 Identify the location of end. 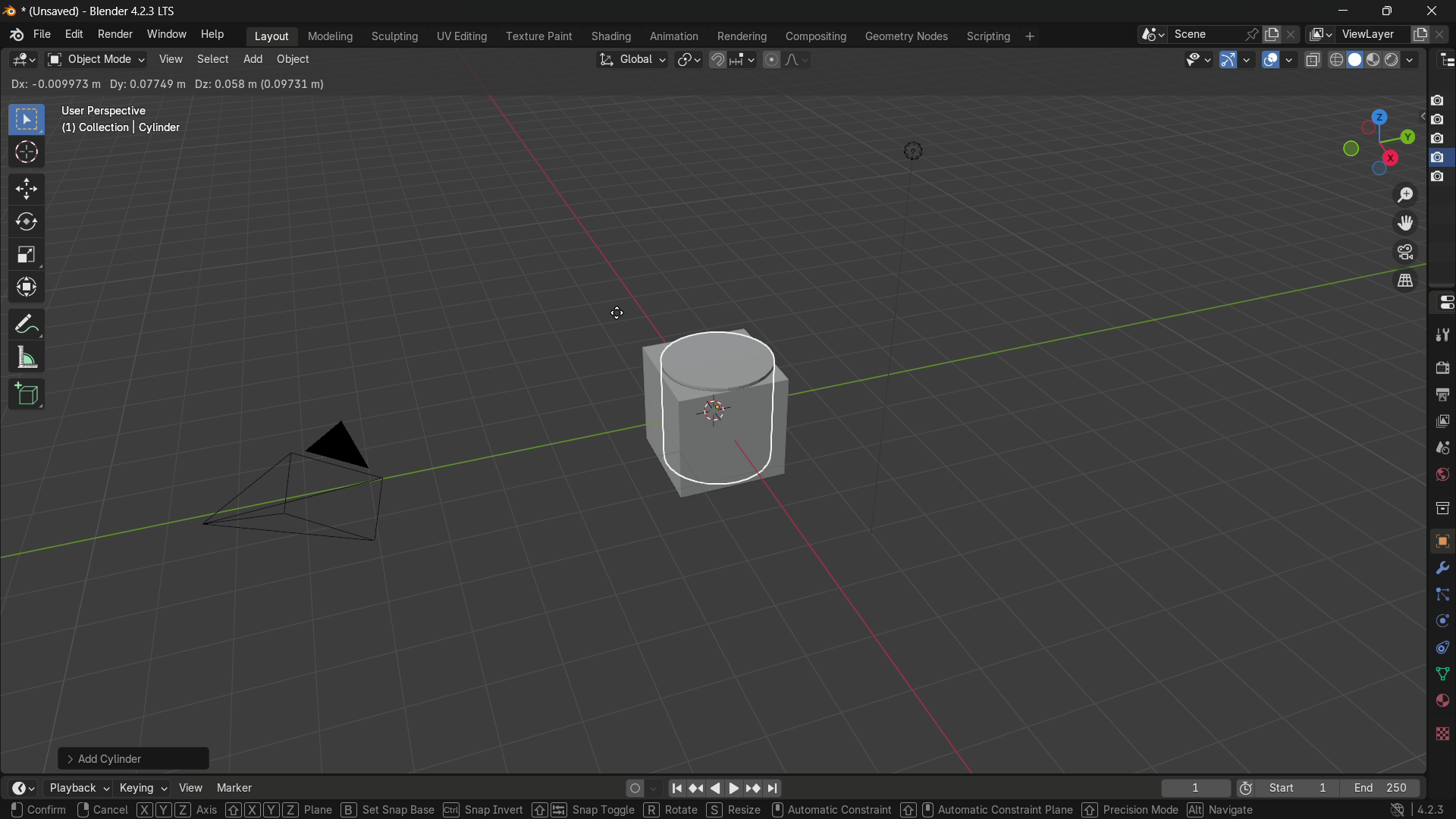
(1386, 787).